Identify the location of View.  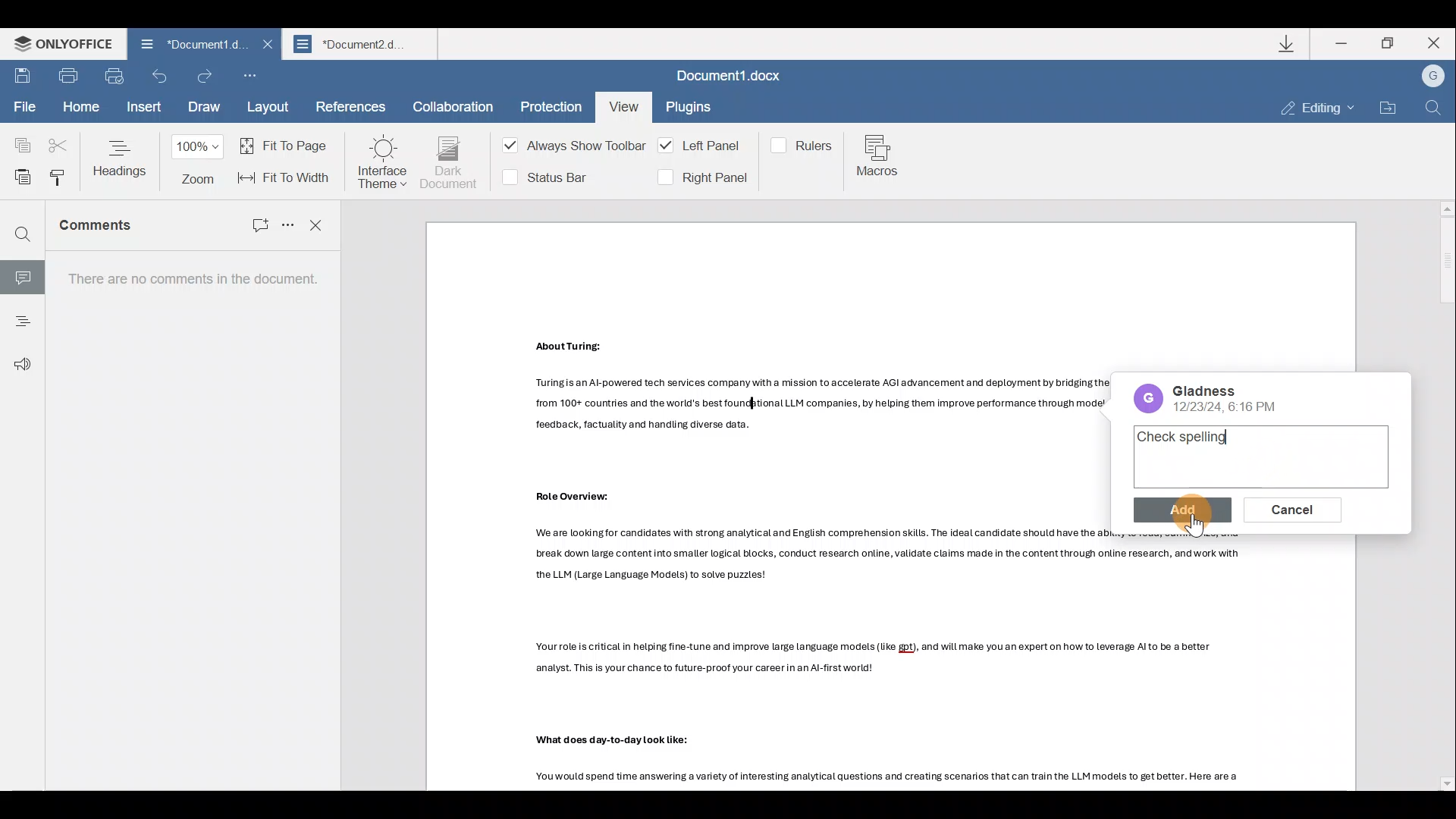
(622, 104).